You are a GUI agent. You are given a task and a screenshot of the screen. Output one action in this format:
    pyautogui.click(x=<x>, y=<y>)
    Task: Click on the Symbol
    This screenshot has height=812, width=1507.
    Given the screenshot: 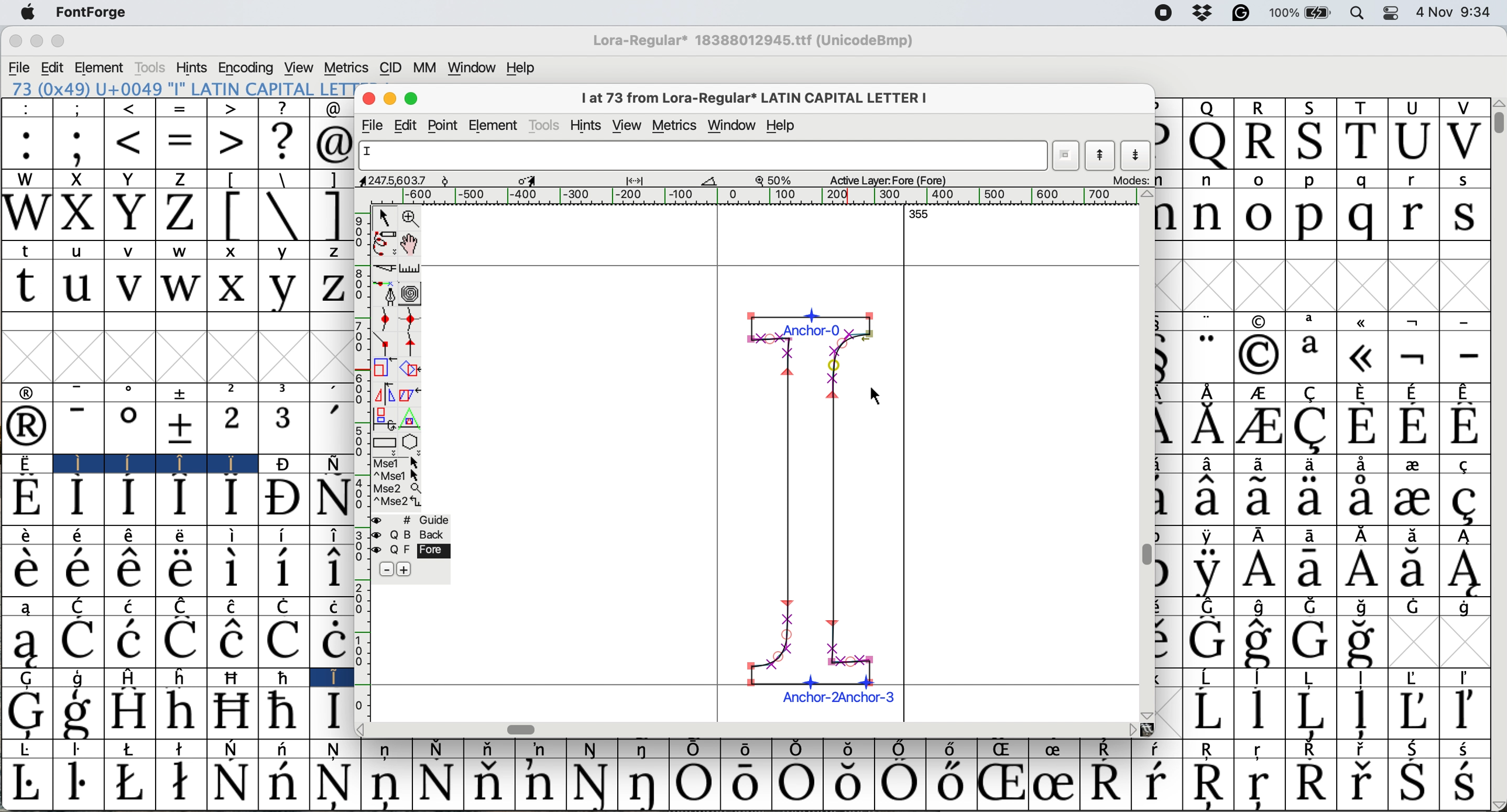 What is the action you would take?
    pyautogui.click(x=129, y=570)
    